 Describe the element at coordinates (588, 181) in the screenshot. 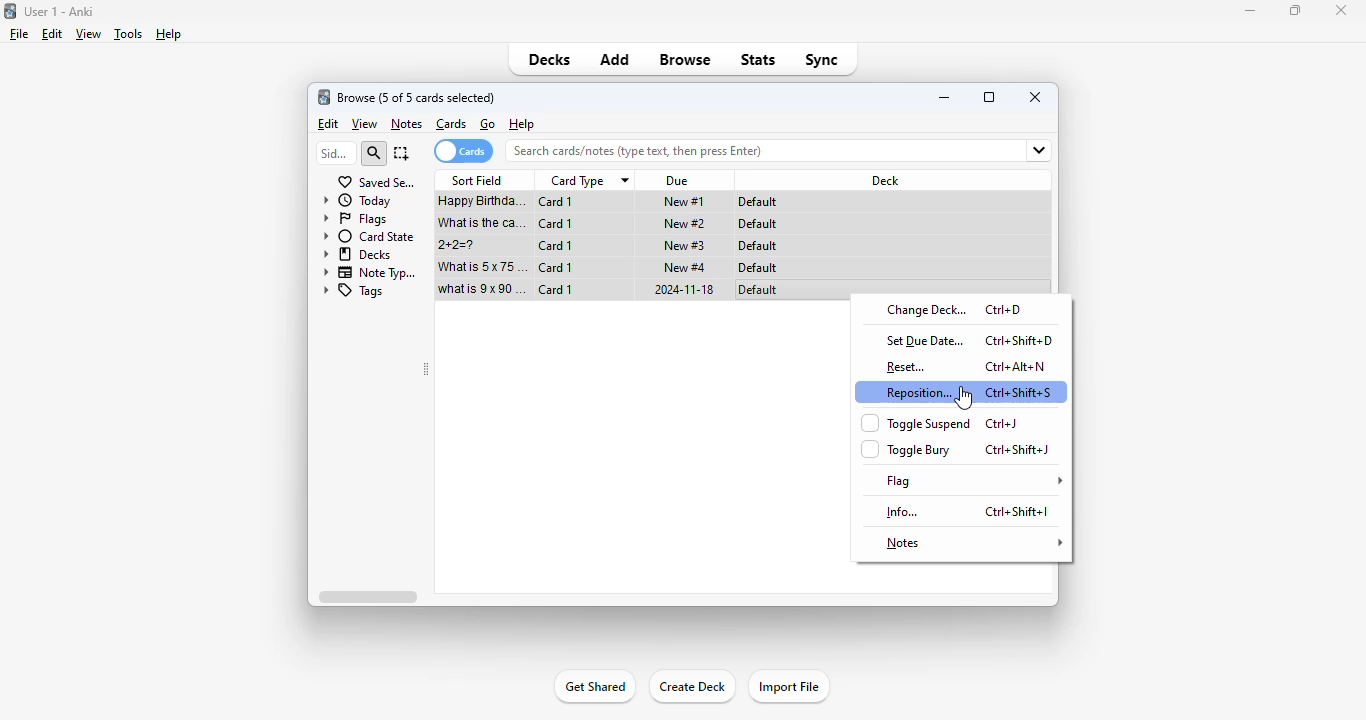

I see `card type` at that location.